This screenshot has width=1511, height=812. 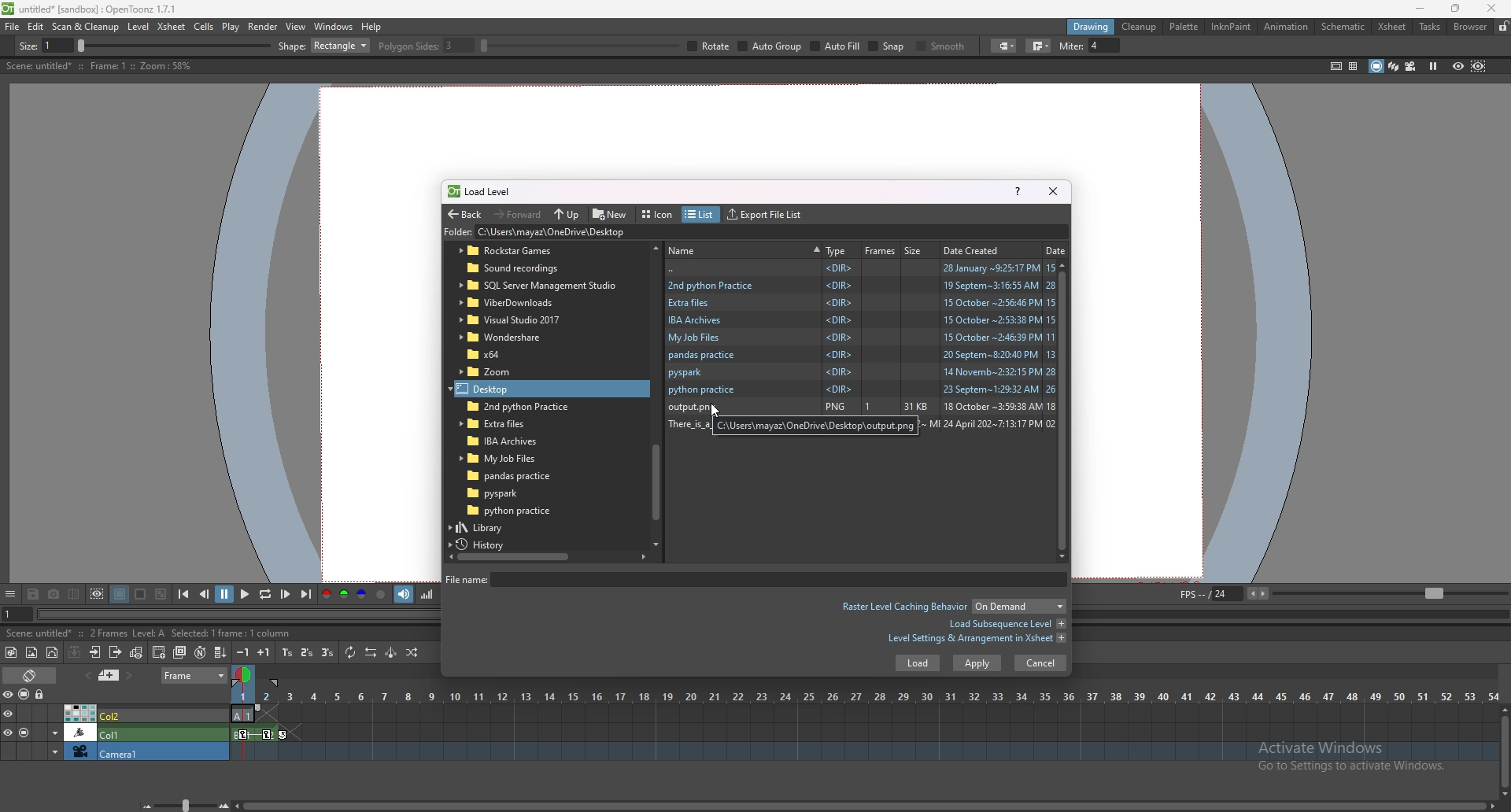 What do you see at coordinates (495, 527) in the screenshot?
I see `library` at bounding box center [495, 527].